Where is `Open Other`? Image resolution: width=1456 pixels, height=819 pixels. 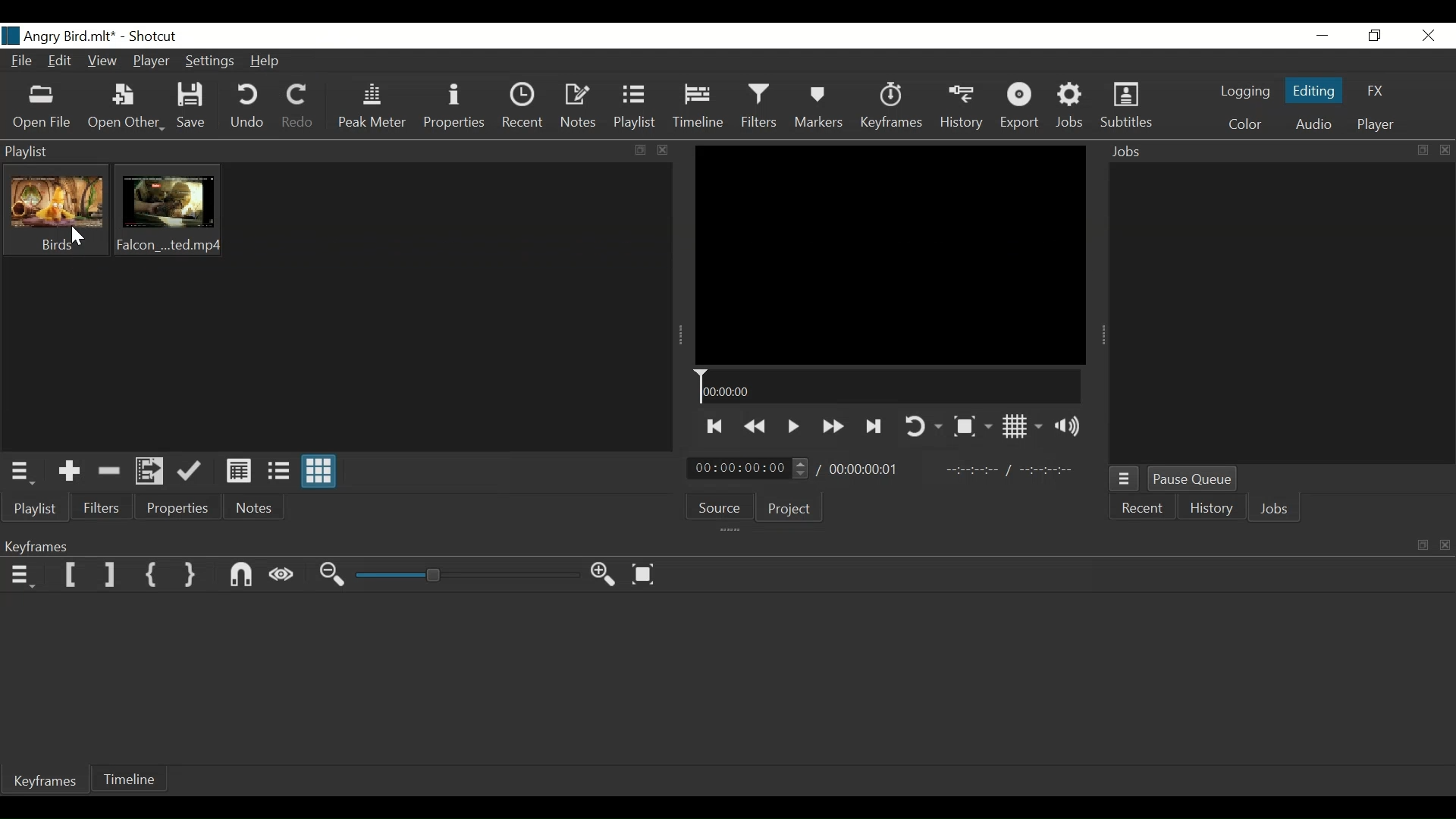
Open Other is located at coordinates (127, 108).